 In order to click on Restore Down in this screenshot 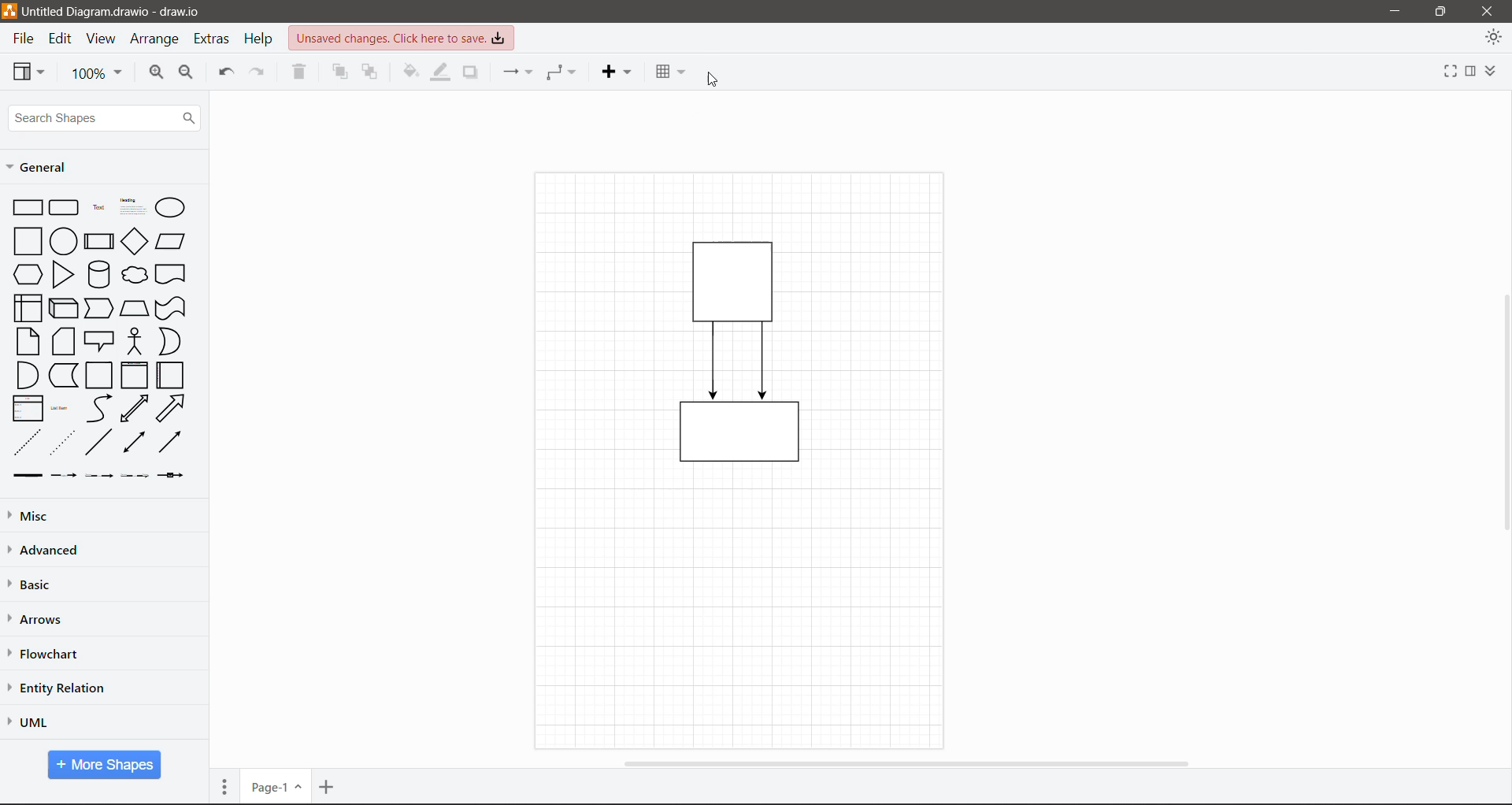, I will do `click(1441, 10)`.